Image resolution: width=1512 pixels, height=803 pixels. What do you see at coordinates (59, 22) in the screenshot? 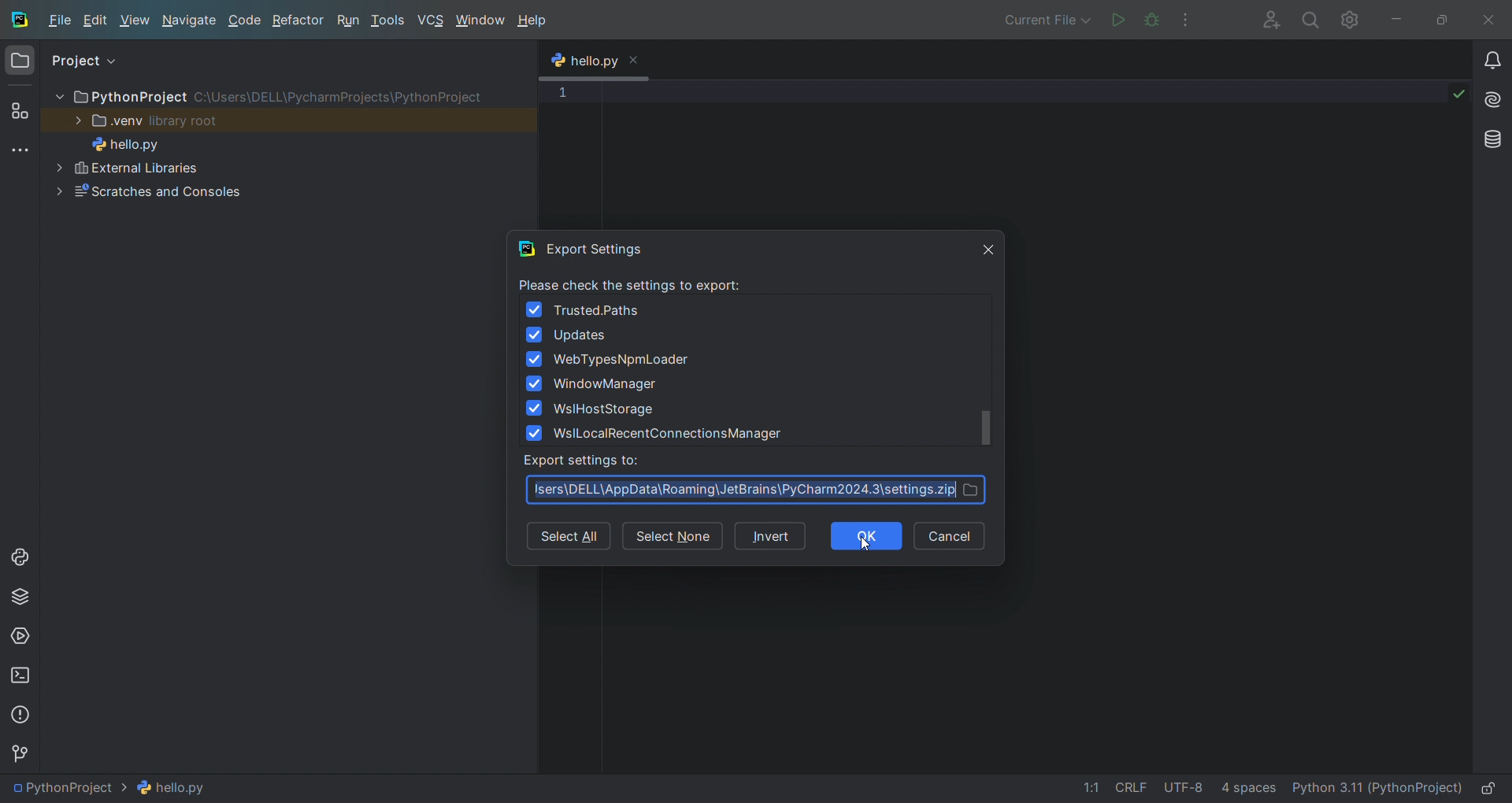
I see `file` at bounding box center [59, 22].